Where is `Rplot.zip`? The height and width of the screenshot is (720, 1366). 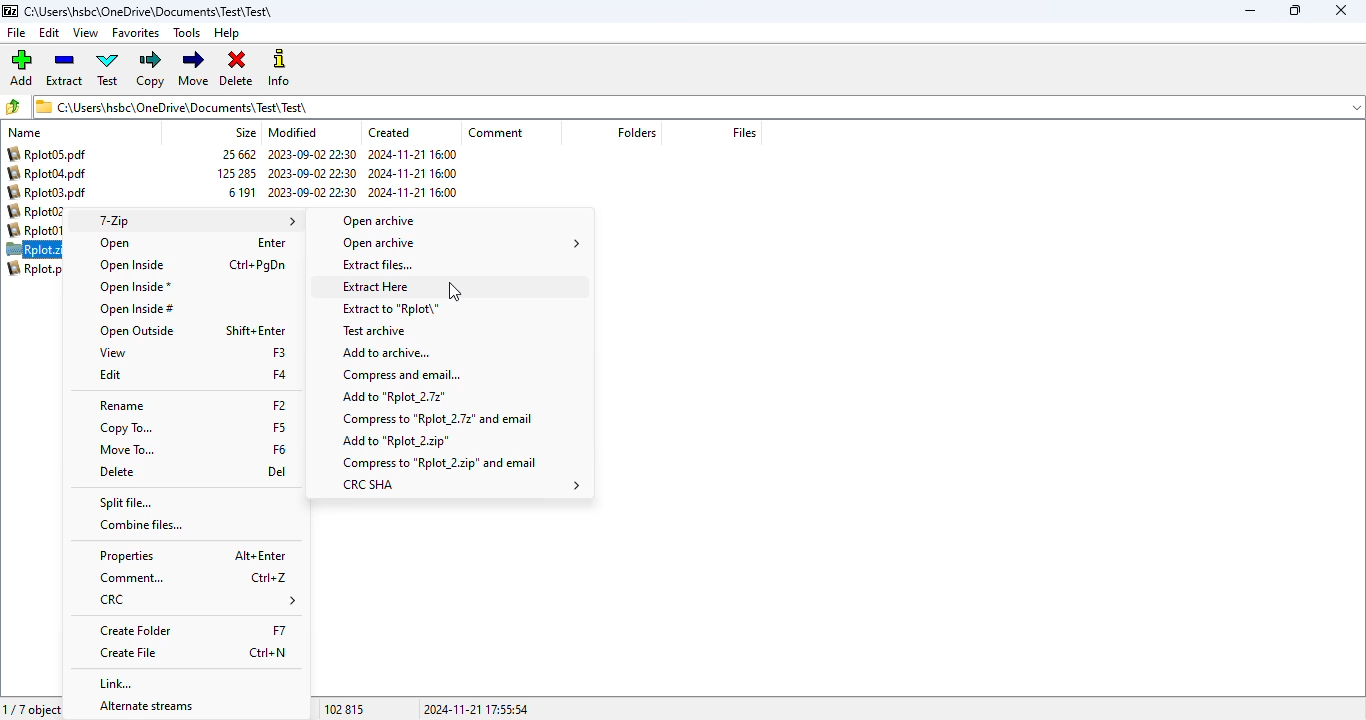
Rplot.zip is located at coordinates (35, 250).